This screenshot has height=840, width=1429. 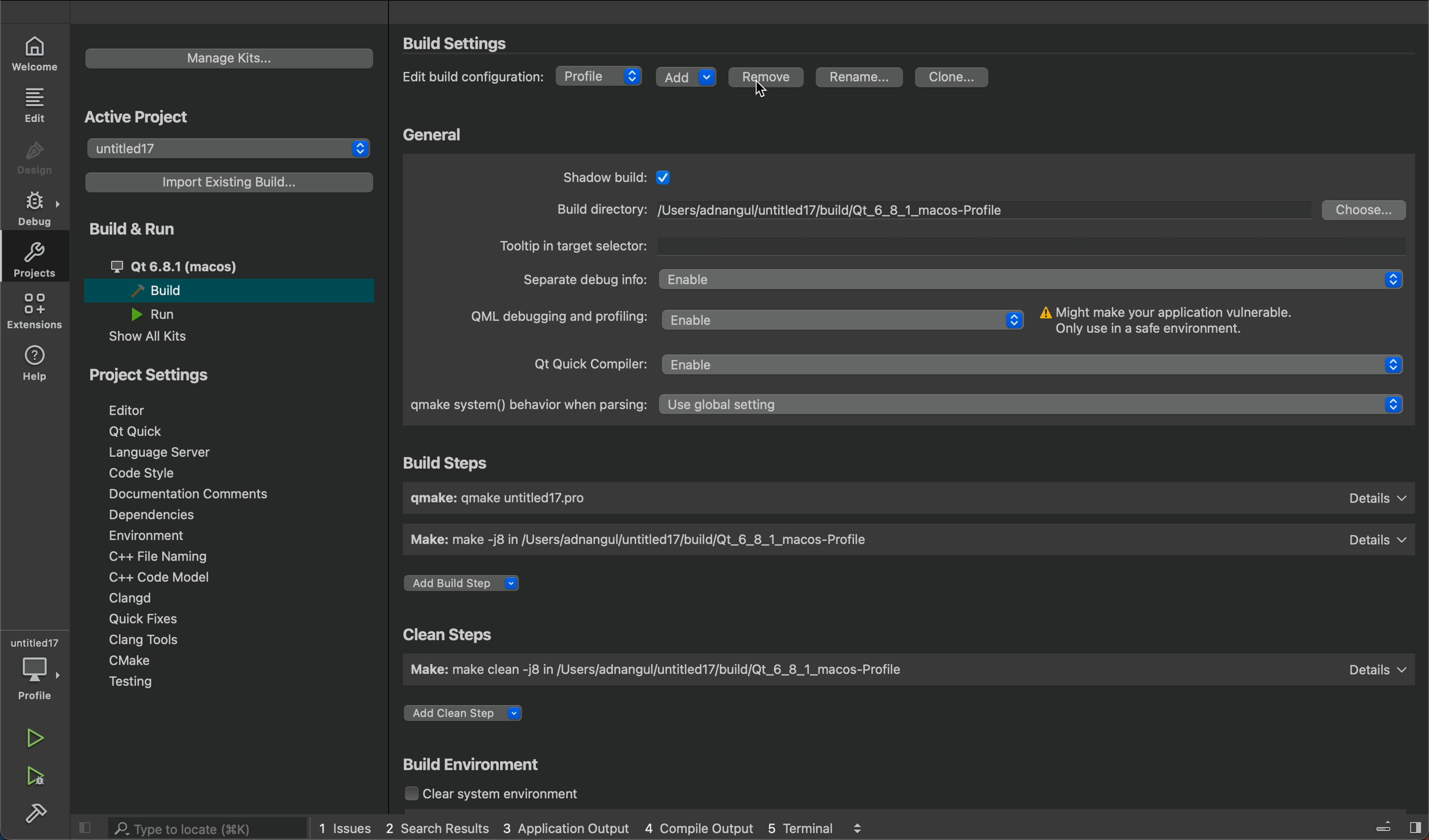 I want to click on tooltip, so click(x=1024, y=243).